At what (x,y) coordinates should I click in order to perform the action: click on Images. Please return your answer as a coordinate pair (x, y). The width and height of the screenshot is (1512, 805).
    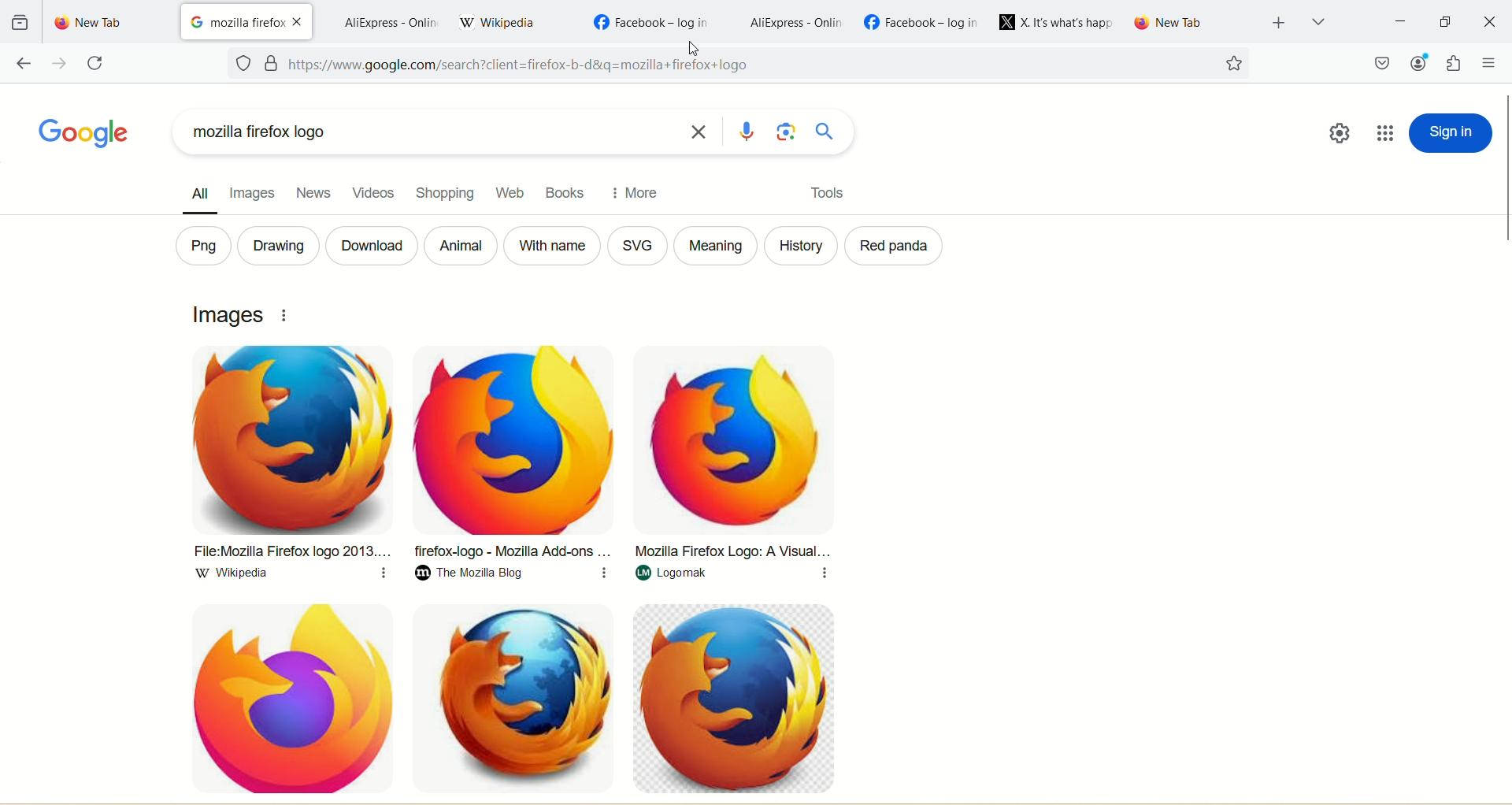
    Looking at the image, I should click on (229, 314).